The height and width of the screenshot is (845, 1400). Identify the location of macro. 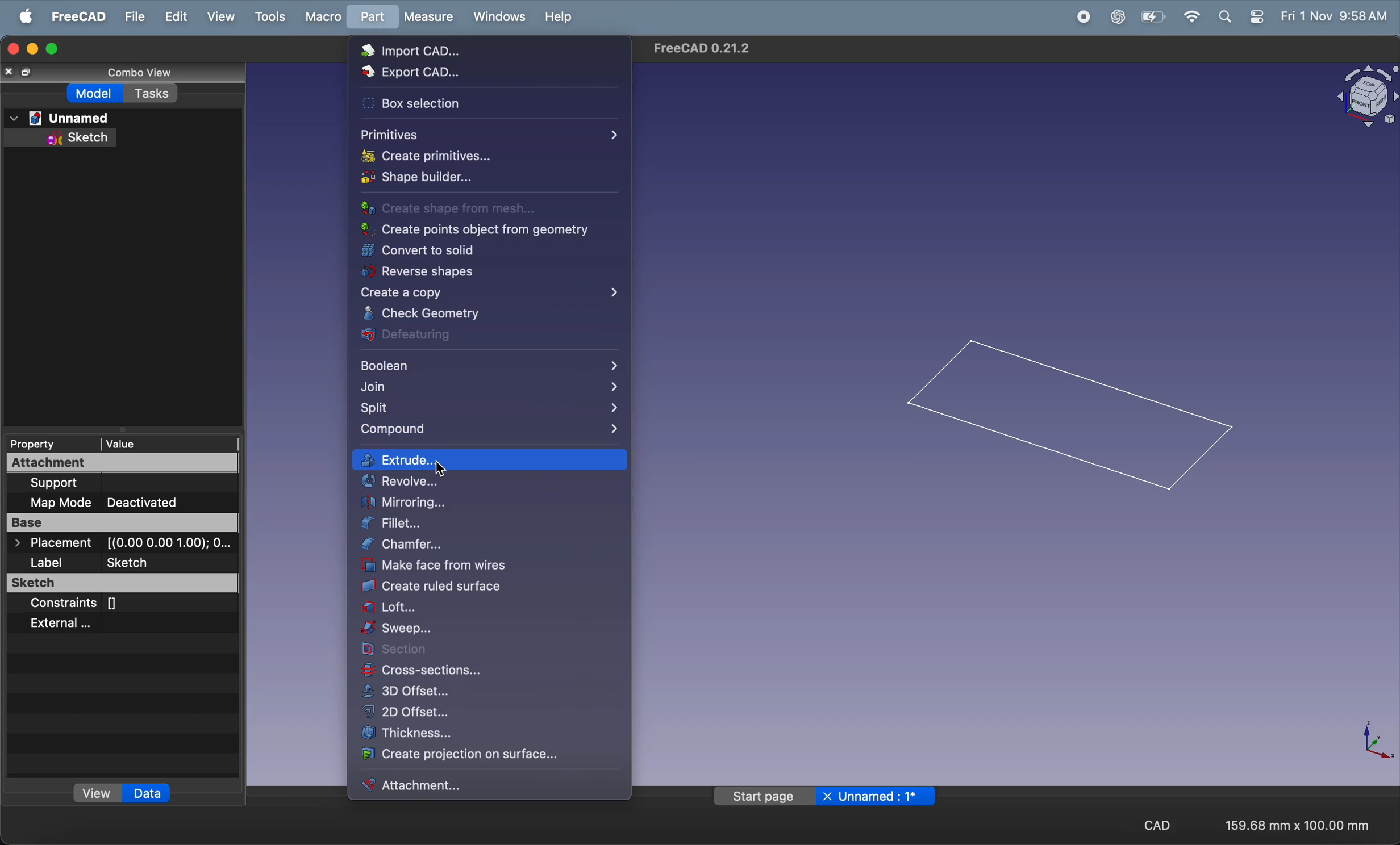
(319, 17).